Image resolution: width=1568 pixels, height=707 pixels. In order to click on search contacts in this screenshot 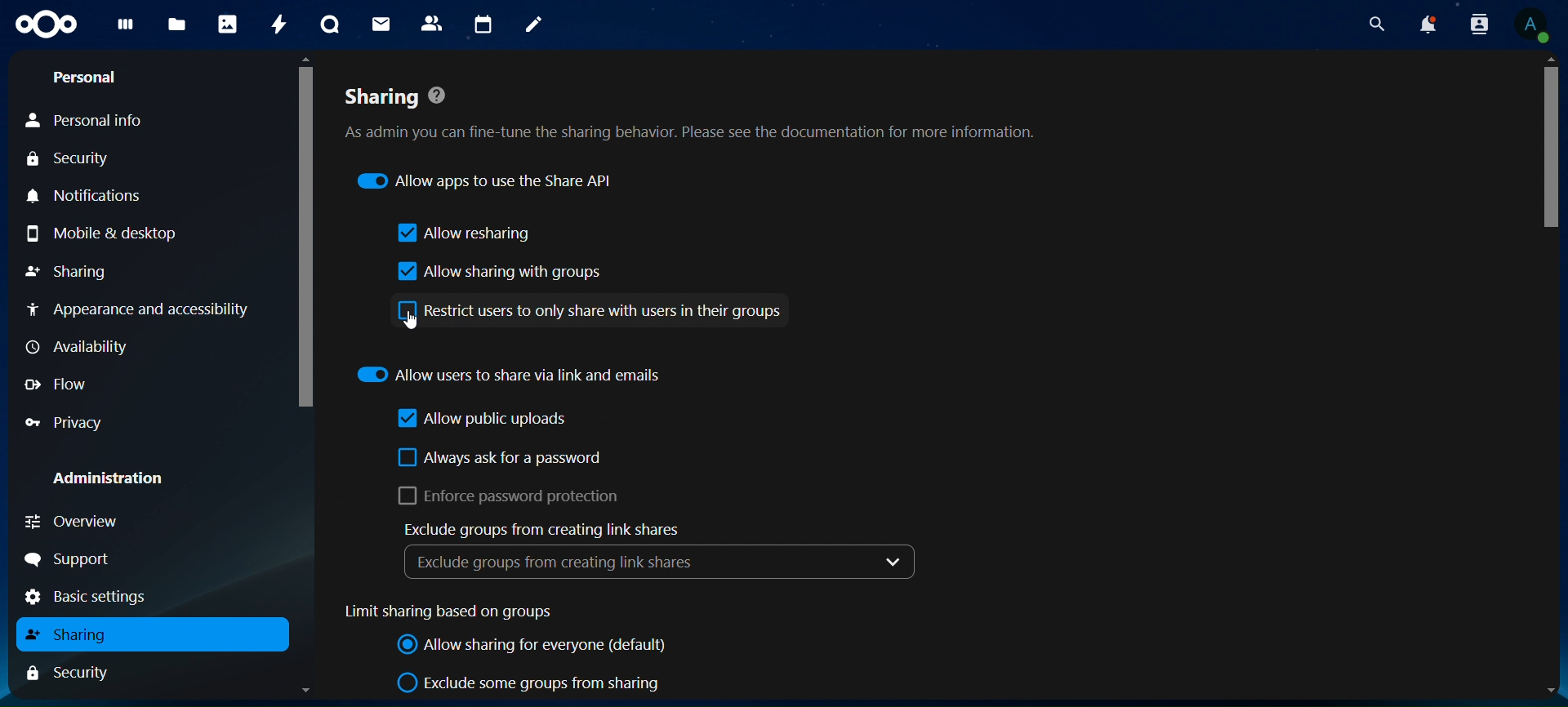, I will do `click(1480, 23)`.